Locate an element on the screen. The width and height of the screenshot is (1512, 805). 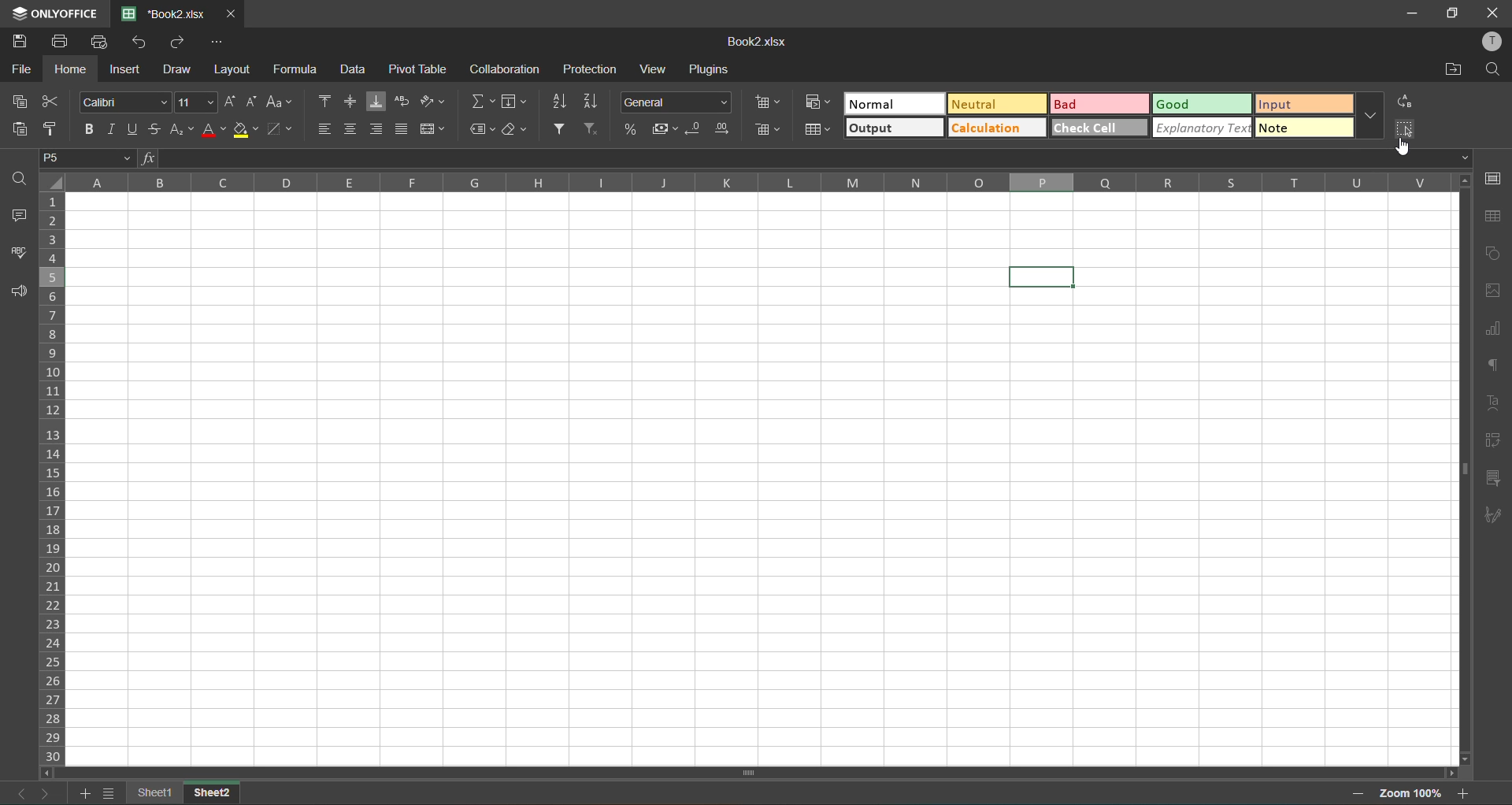
maximise is located at coordinates (1452, 12).